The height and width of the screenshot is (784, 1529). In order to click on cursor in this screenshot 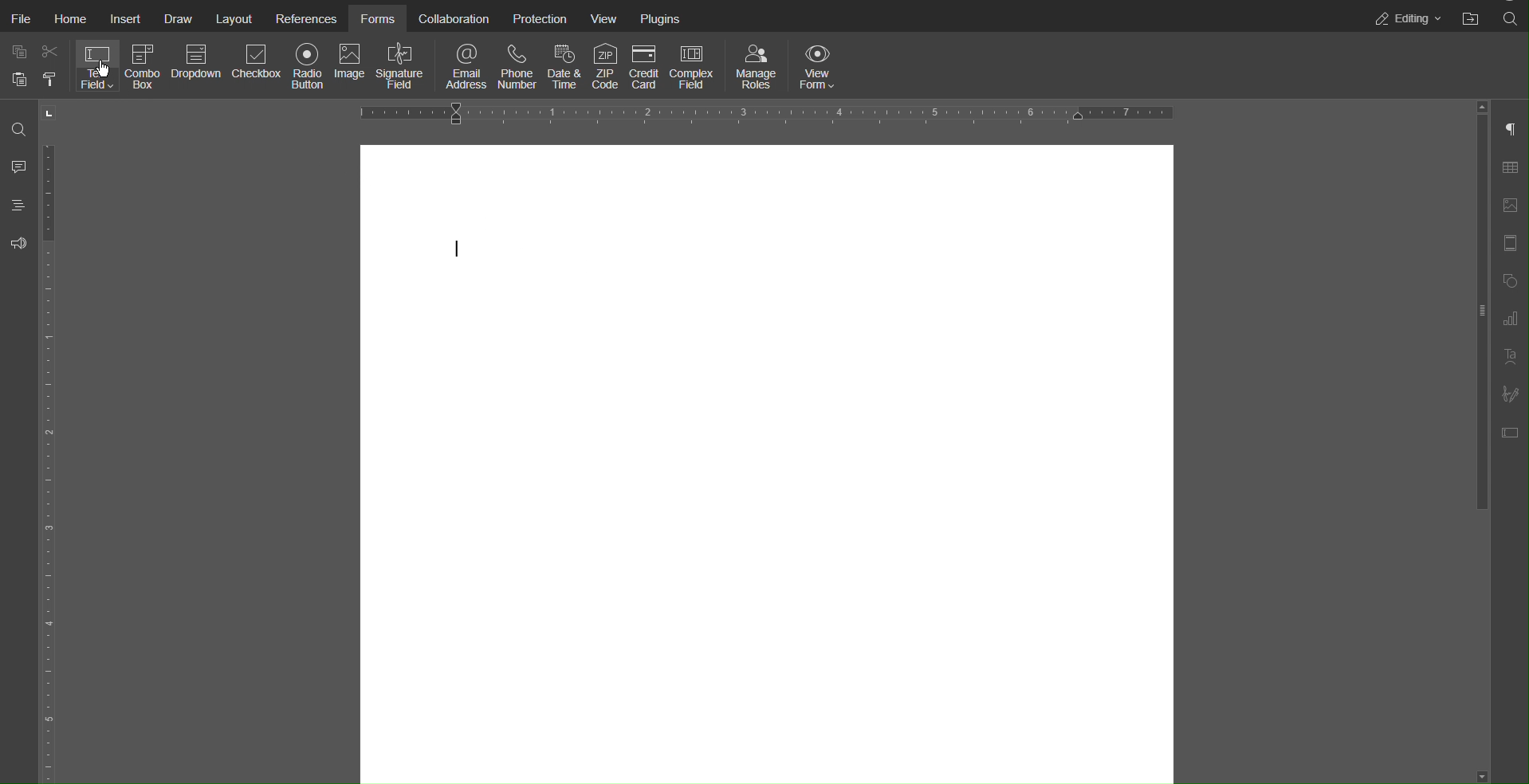, I will do `click(105, 74)`.